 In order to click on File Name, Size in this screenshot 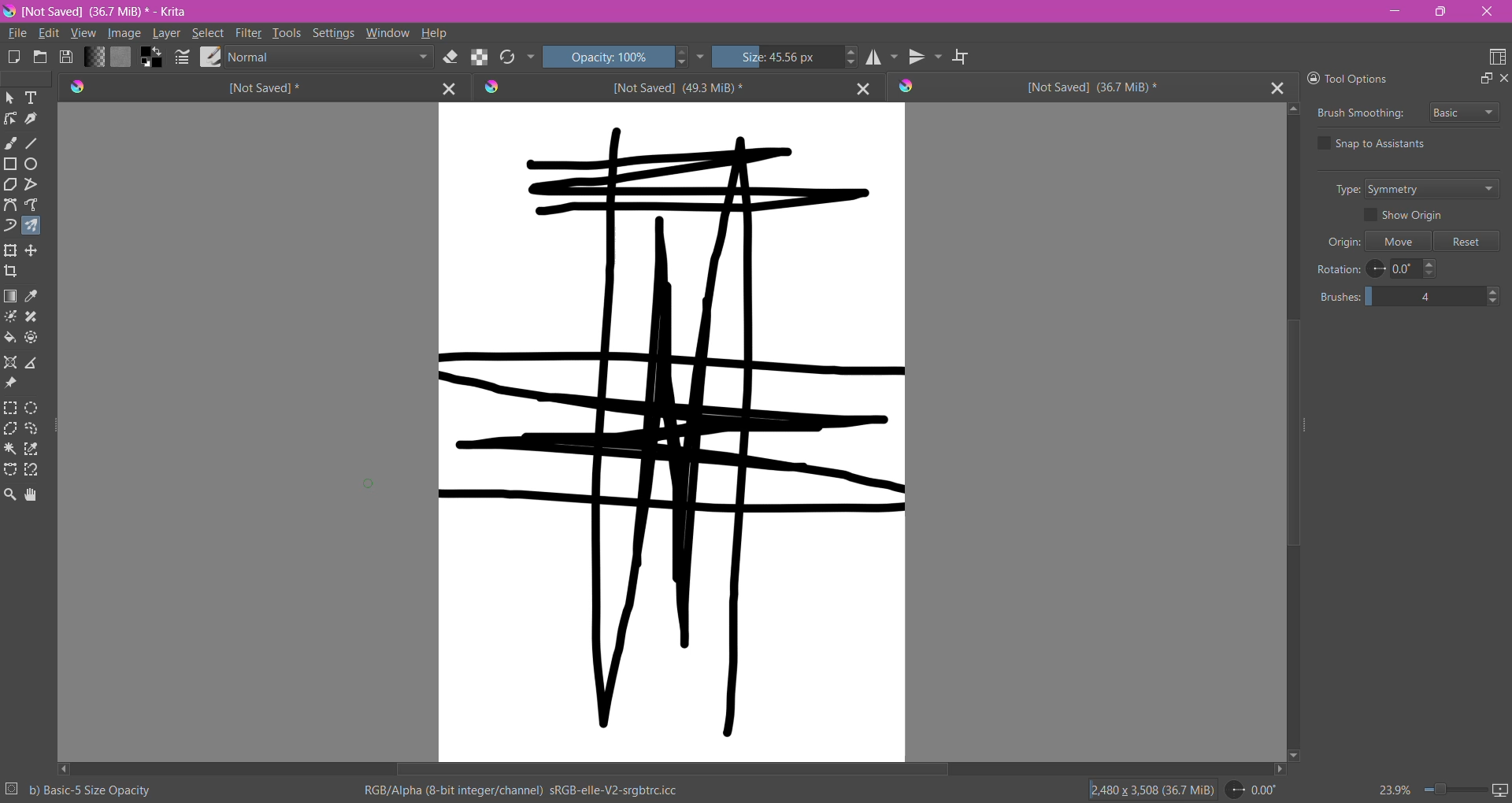, I will do `click(111, 12)`.